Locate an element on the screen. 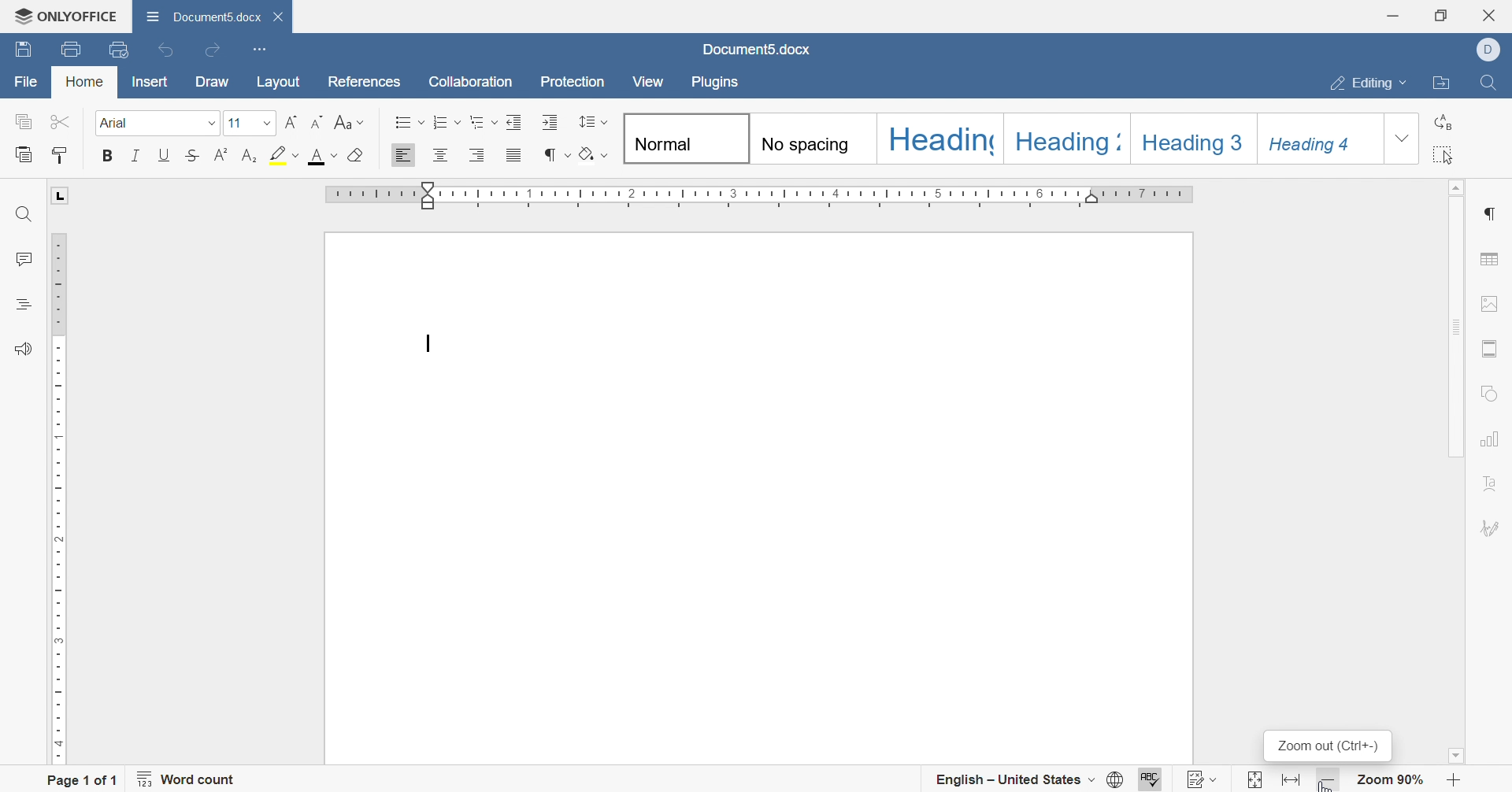 The height and width of the screenshot is (792, 1512). track changes is located at coordinates (1203, 779).